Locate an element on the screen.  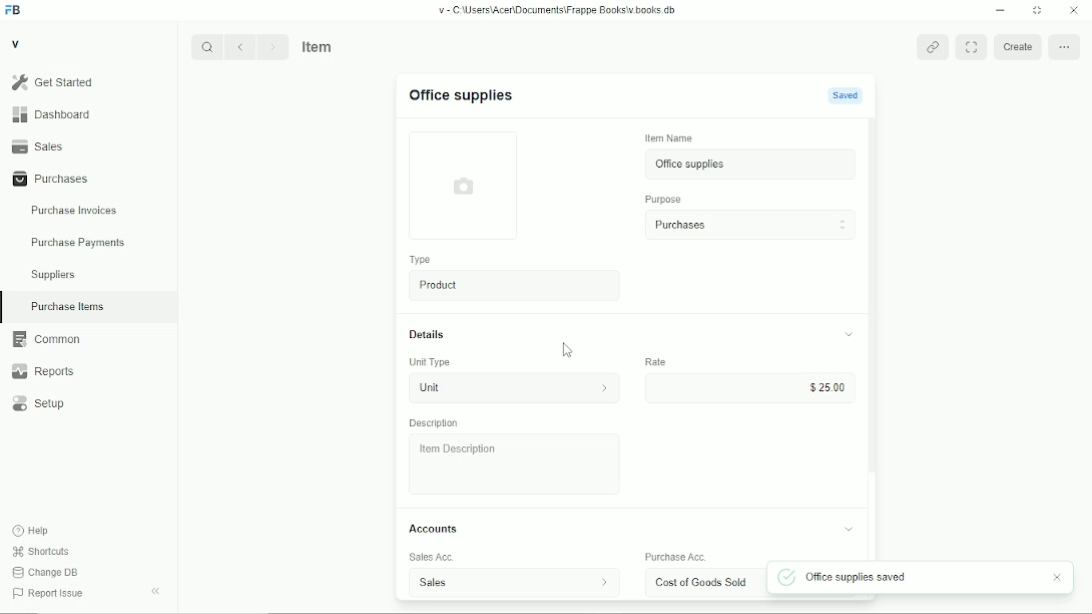
help is located at coordinates (32, 531).